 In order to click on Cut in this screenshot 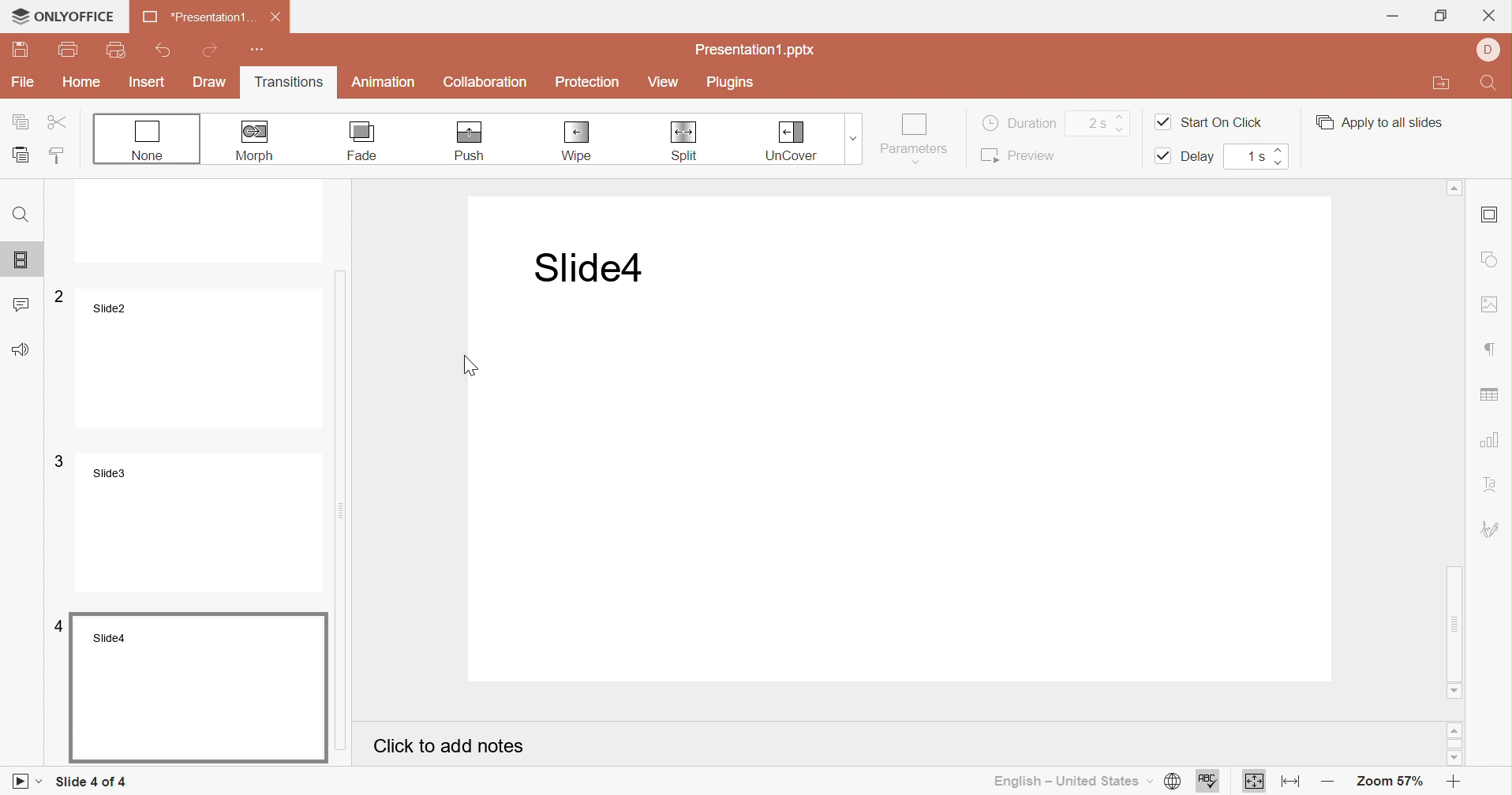, I will do `click(58, 121)`.